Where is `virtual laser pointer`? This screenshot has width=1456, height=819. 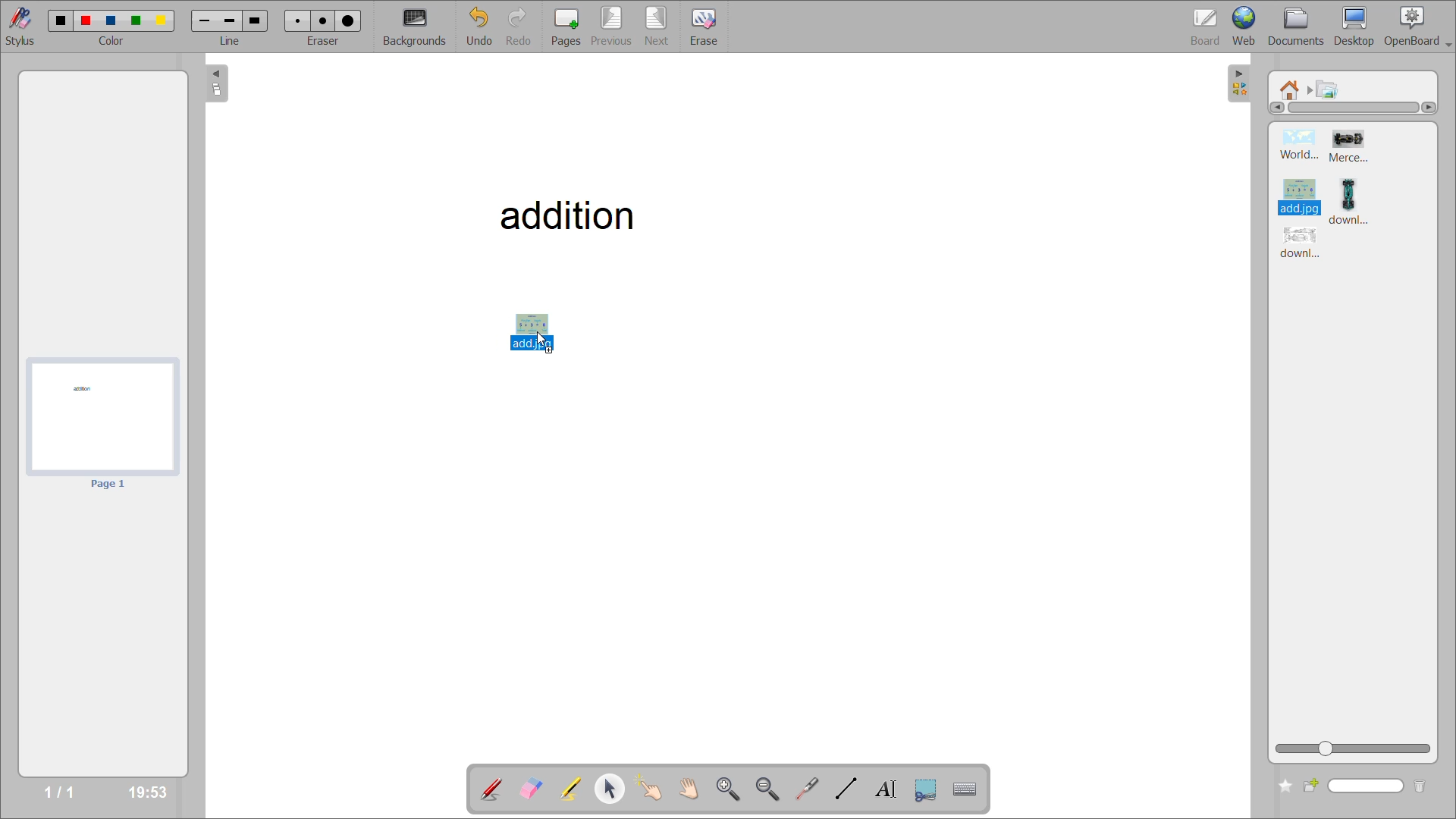 virtual laser pointer is located at coordinates (806, 789).